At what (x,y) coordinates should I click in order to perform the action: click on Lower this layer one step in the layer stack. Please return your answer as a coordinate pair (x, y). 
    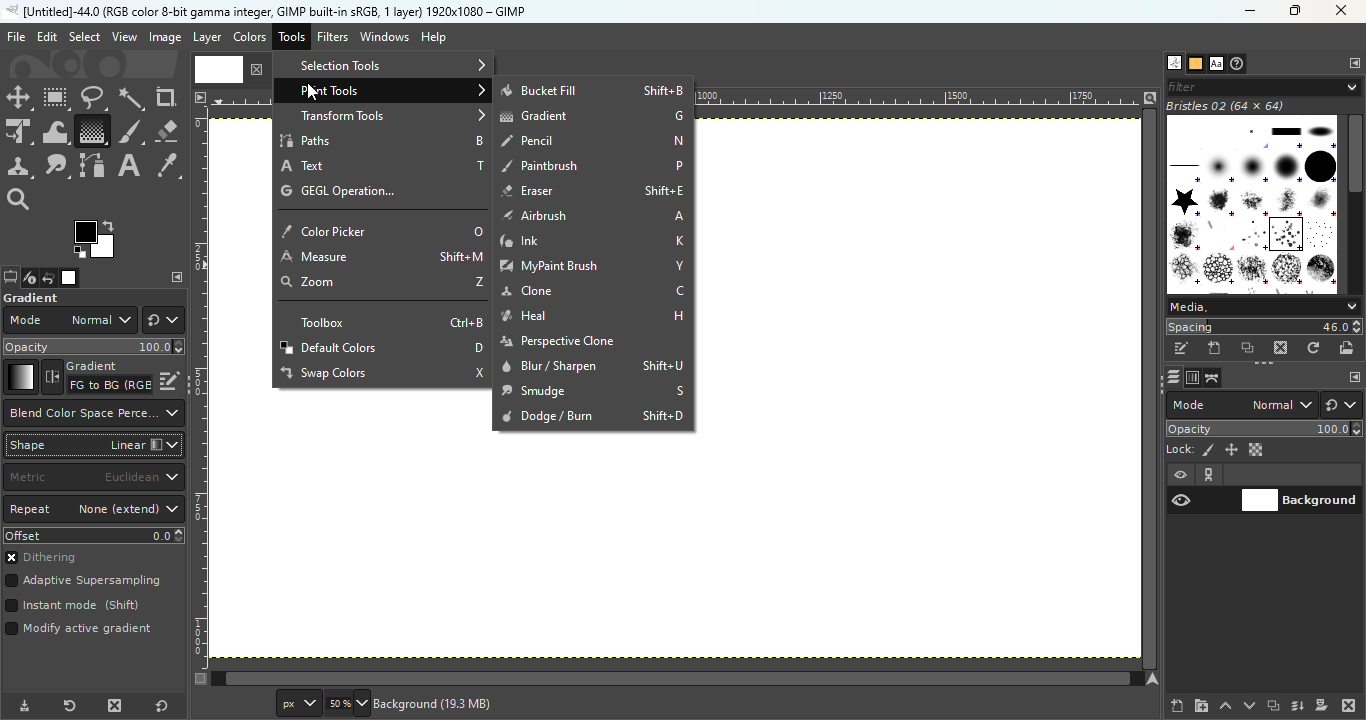
    Looking at the image, I should click on (1249, 706).